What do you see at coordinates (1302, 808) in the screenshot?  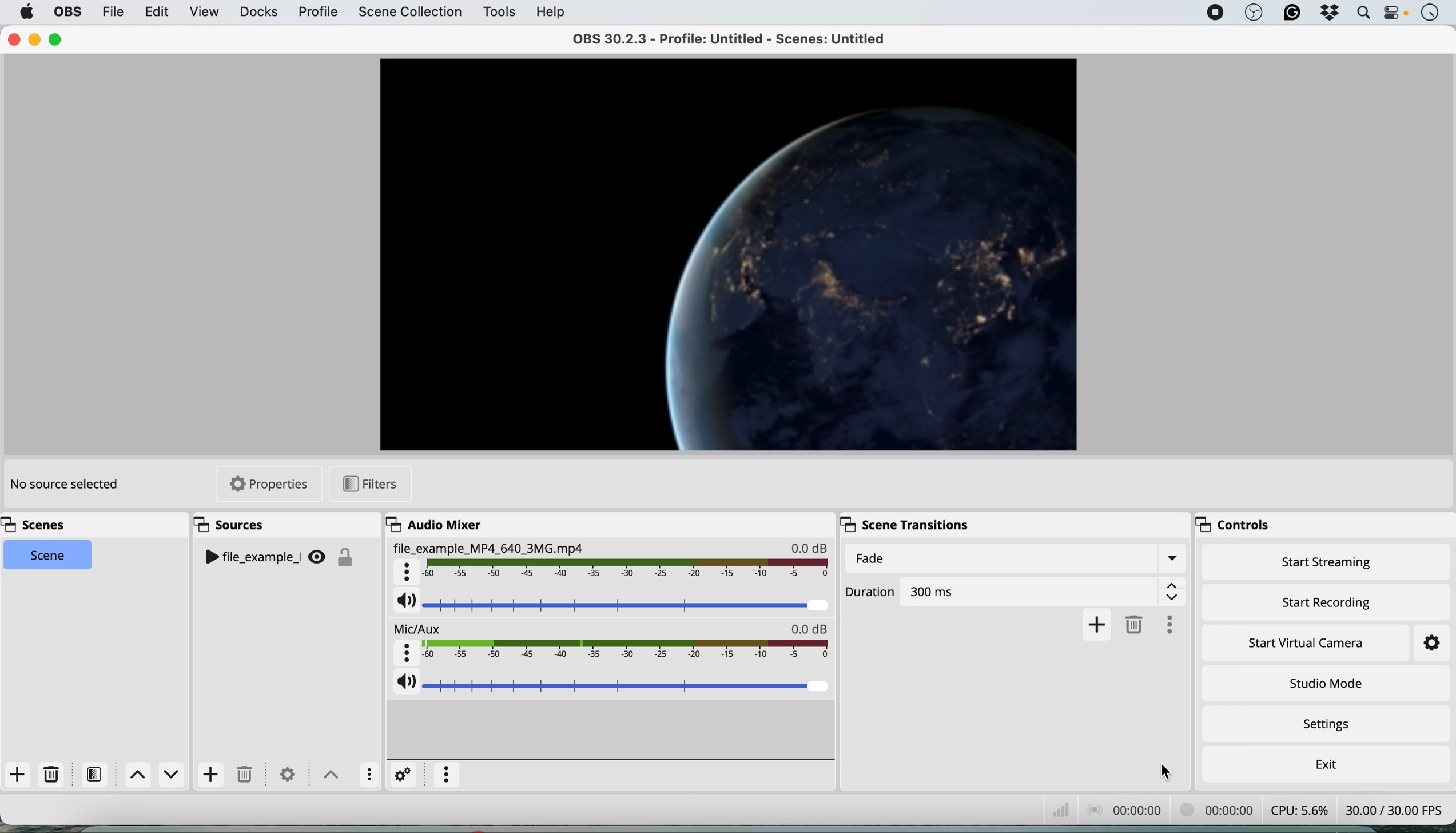 I see `cpu usage` at bounding box center [1302, 808].